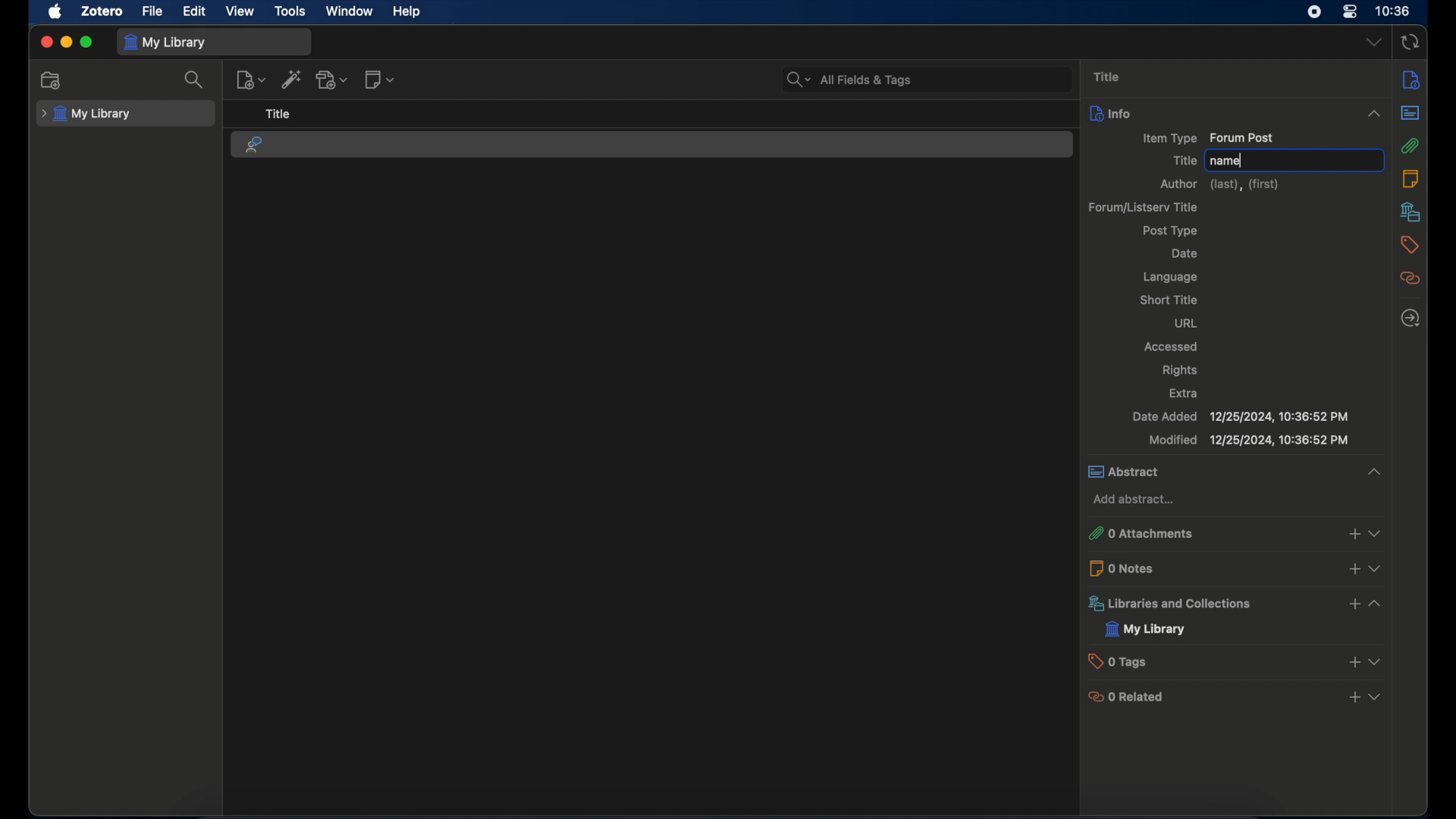  I want to click on attachments, so click(1410, 146).